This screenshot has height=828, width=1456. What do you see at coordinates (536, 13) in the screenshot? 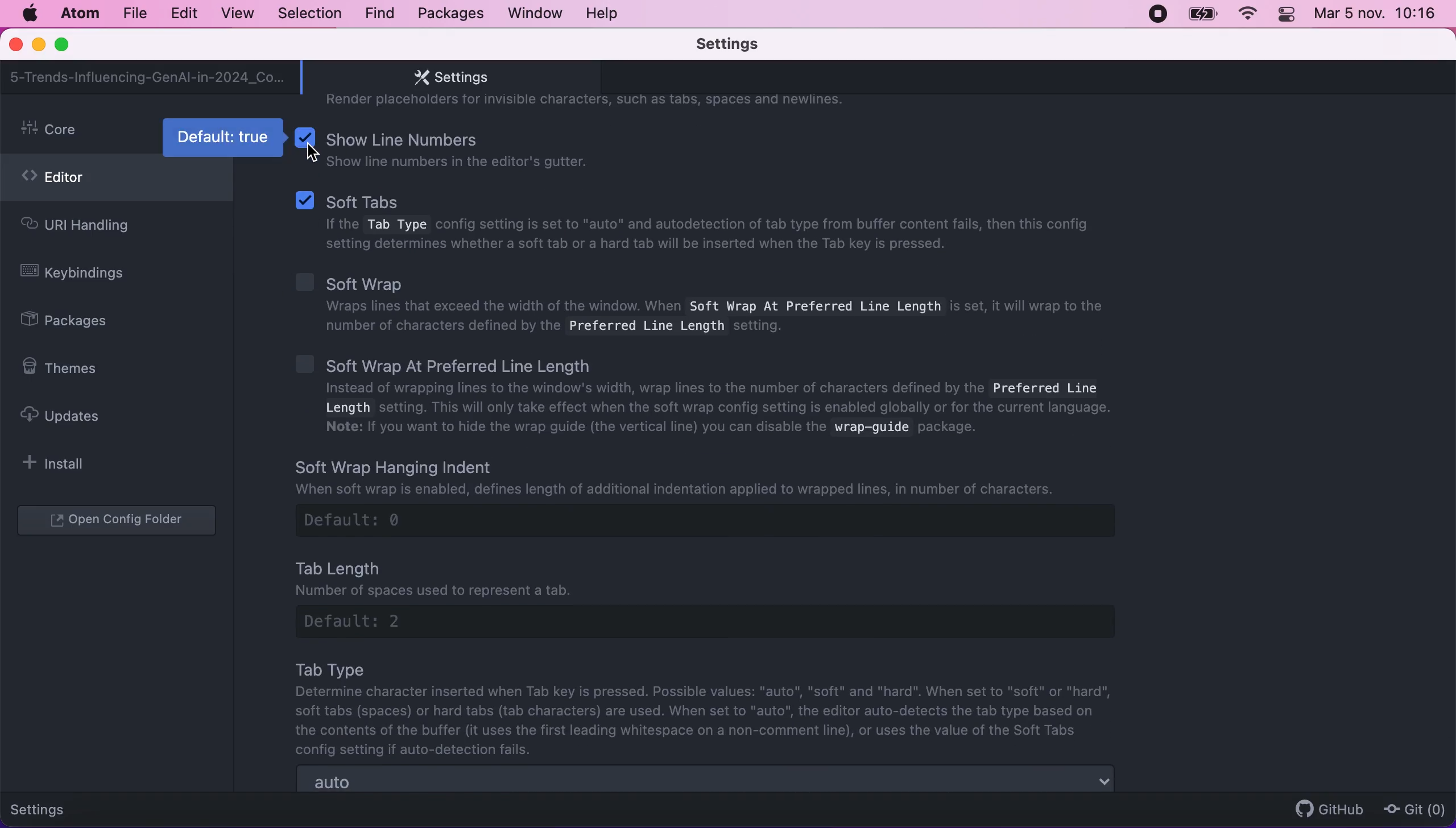
I see `window` at bounding box center [536, 13].